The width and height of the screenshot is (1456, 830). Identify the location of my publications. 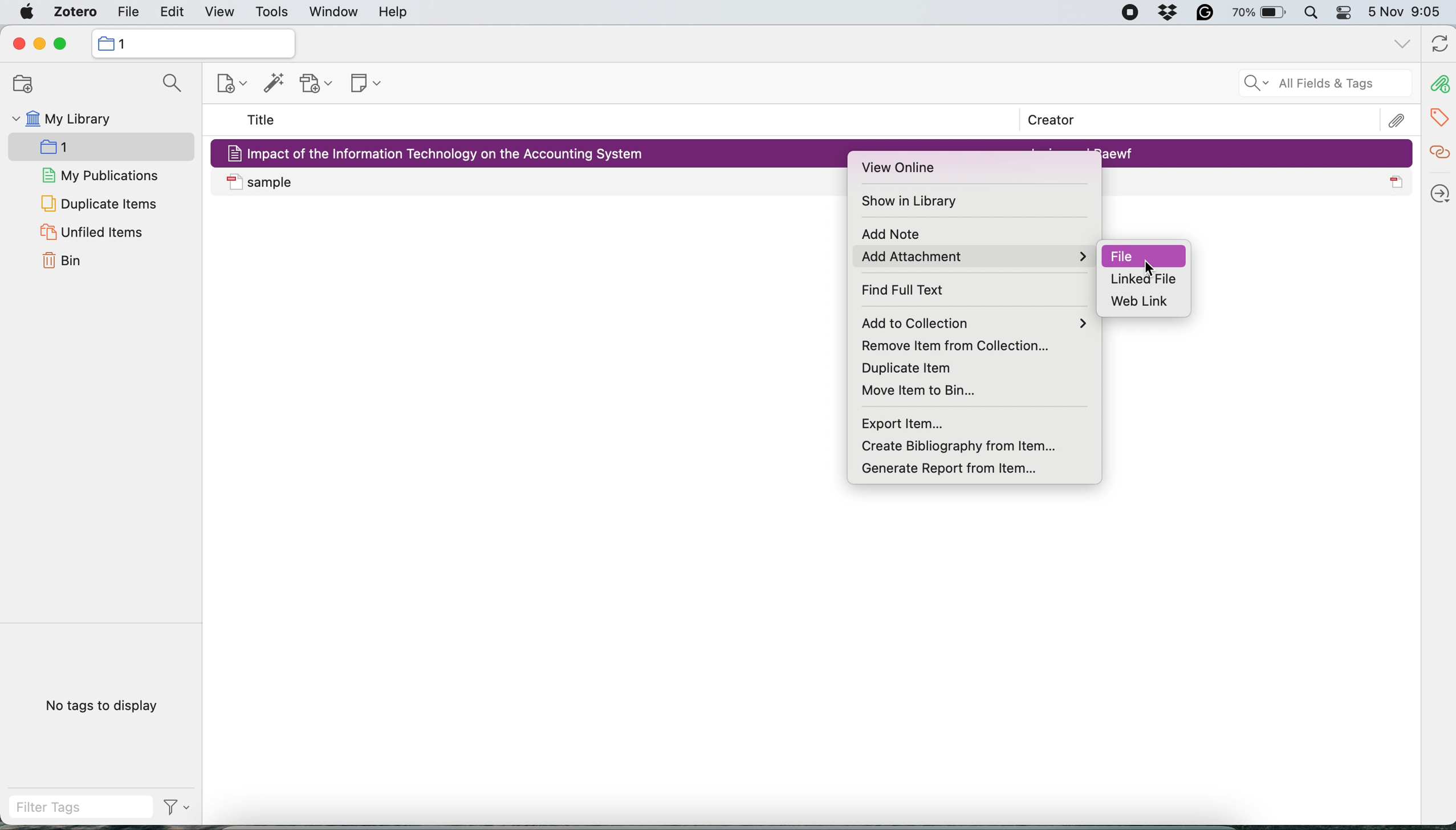
(101, 177).